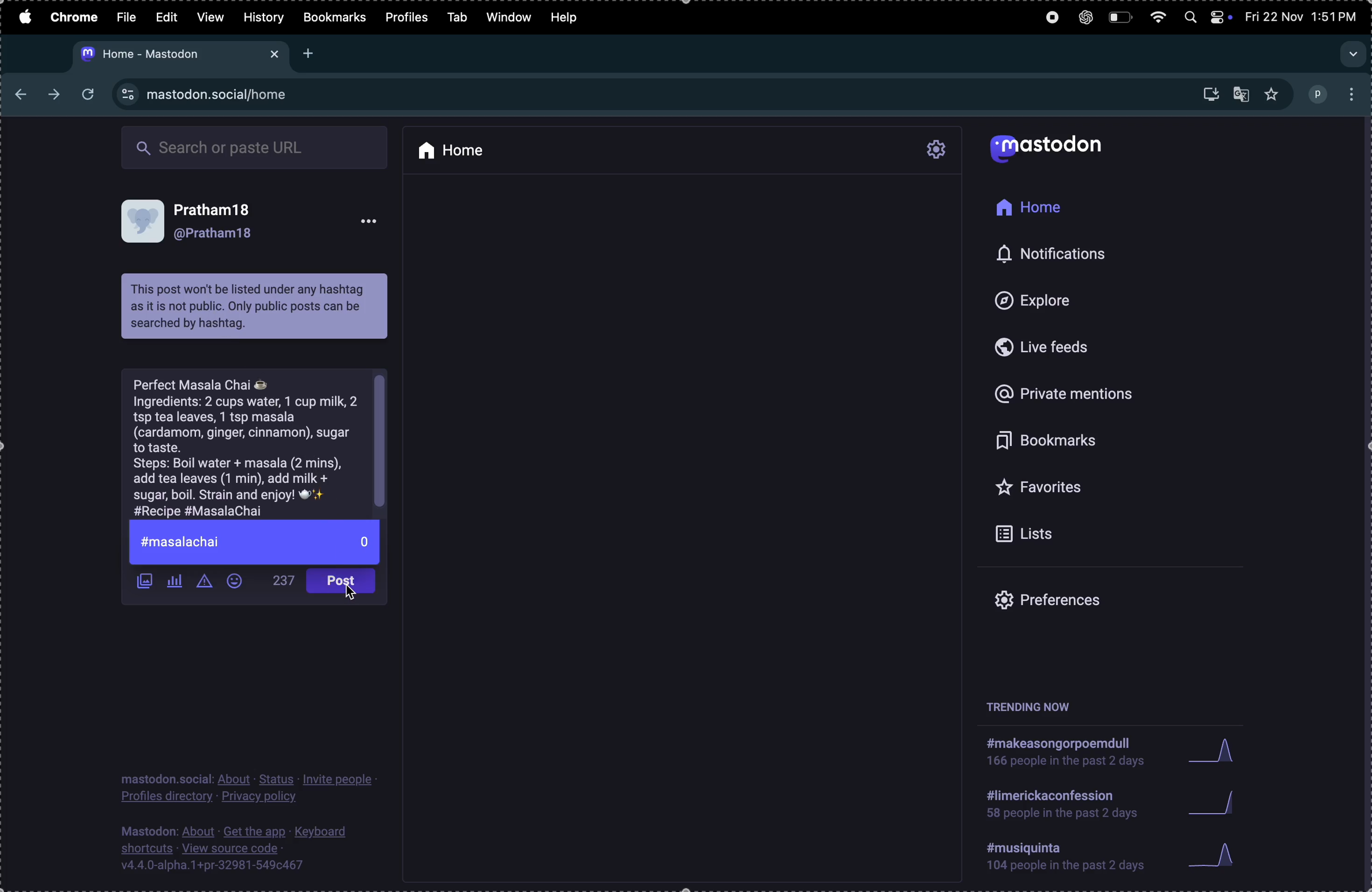 The height and width of the screenshot is (892, 1372). I want to click on hashtag, so click(255, 543).